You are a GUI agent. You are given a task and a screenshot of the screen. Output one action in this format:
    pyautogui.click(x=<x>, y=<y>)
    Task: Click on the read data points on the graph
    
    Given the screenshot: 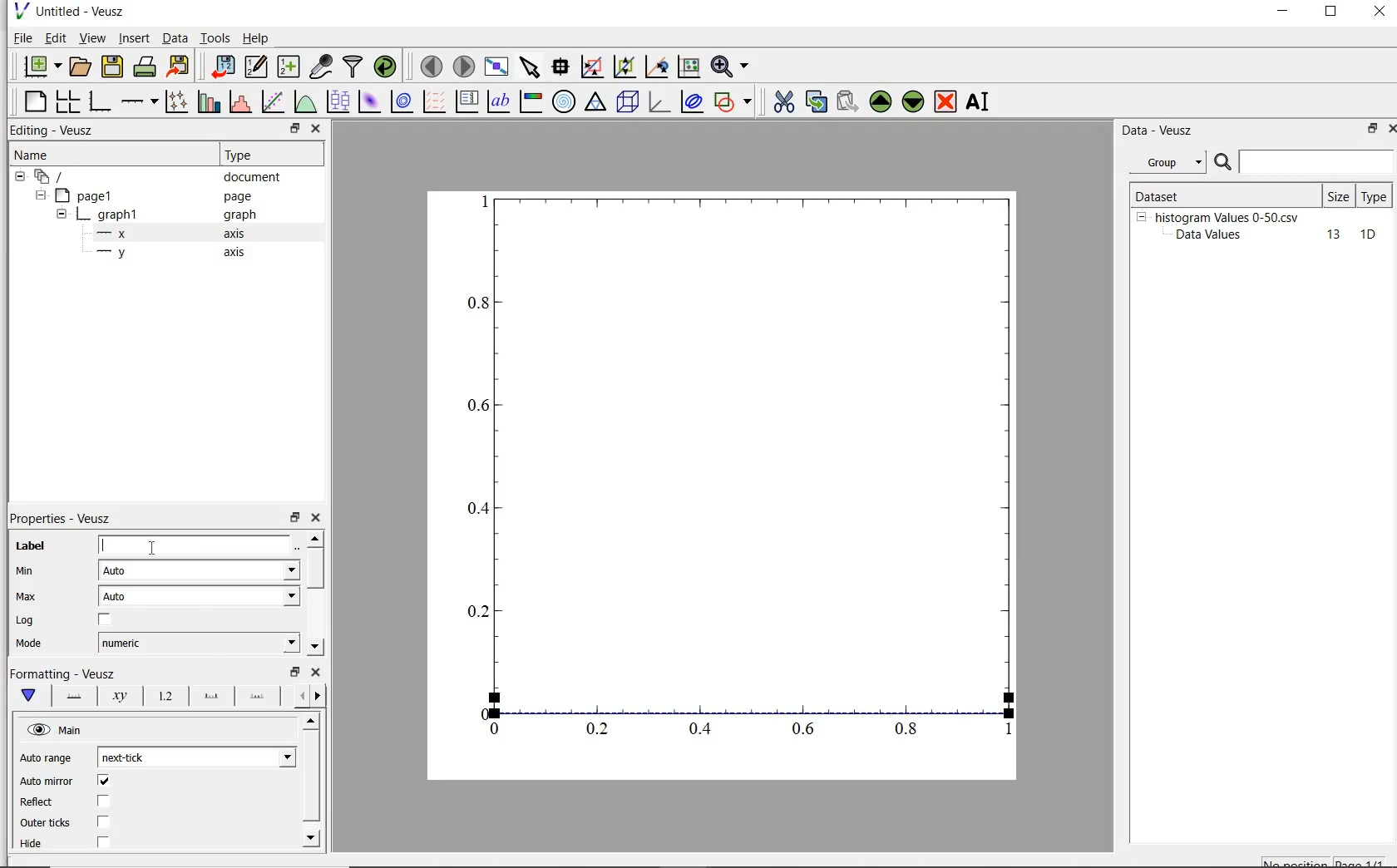 What is the action you would take?
    pyautogui.click(x=562, y=67)
    